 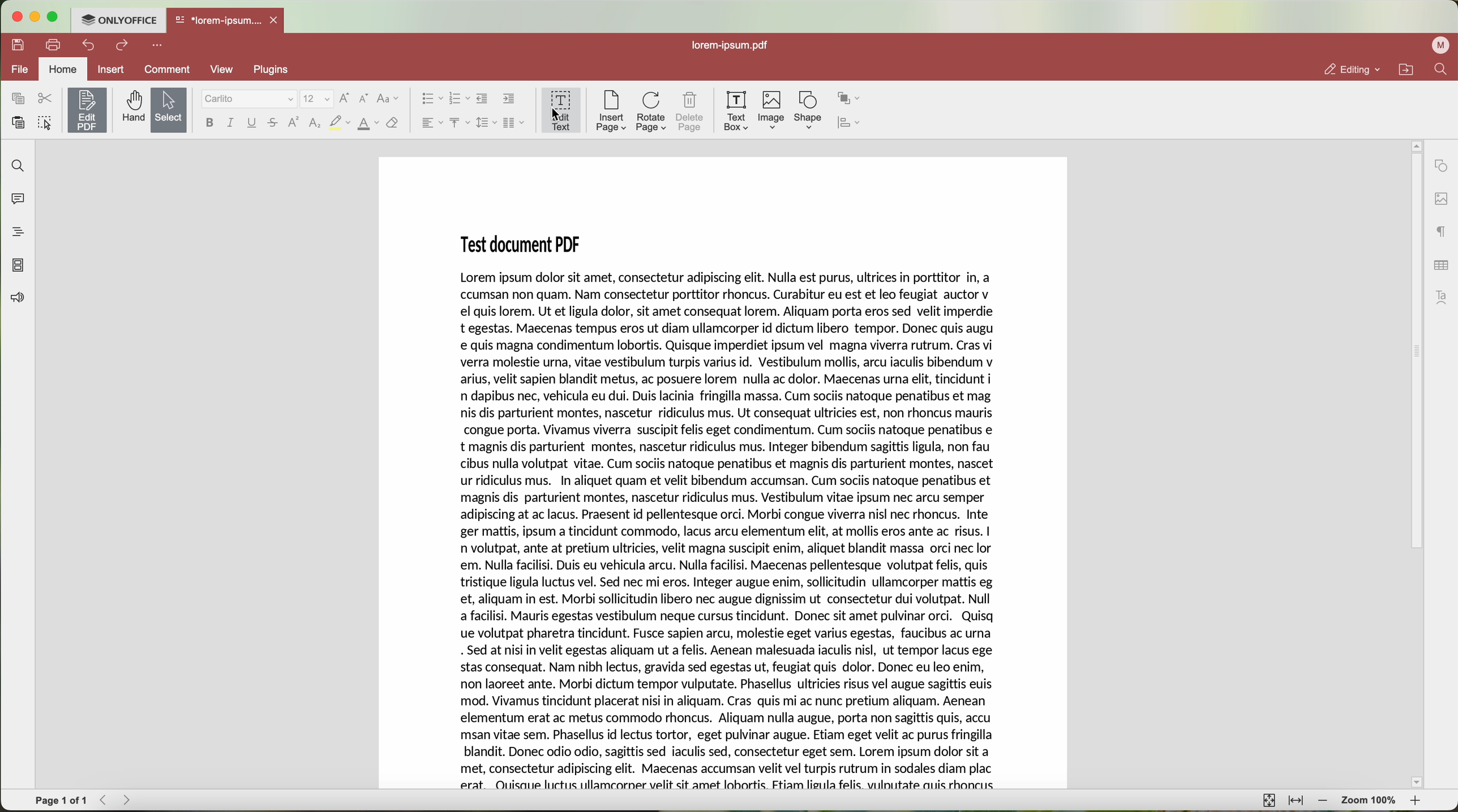 I want to click on open file location, so click(x=1405, y=69).